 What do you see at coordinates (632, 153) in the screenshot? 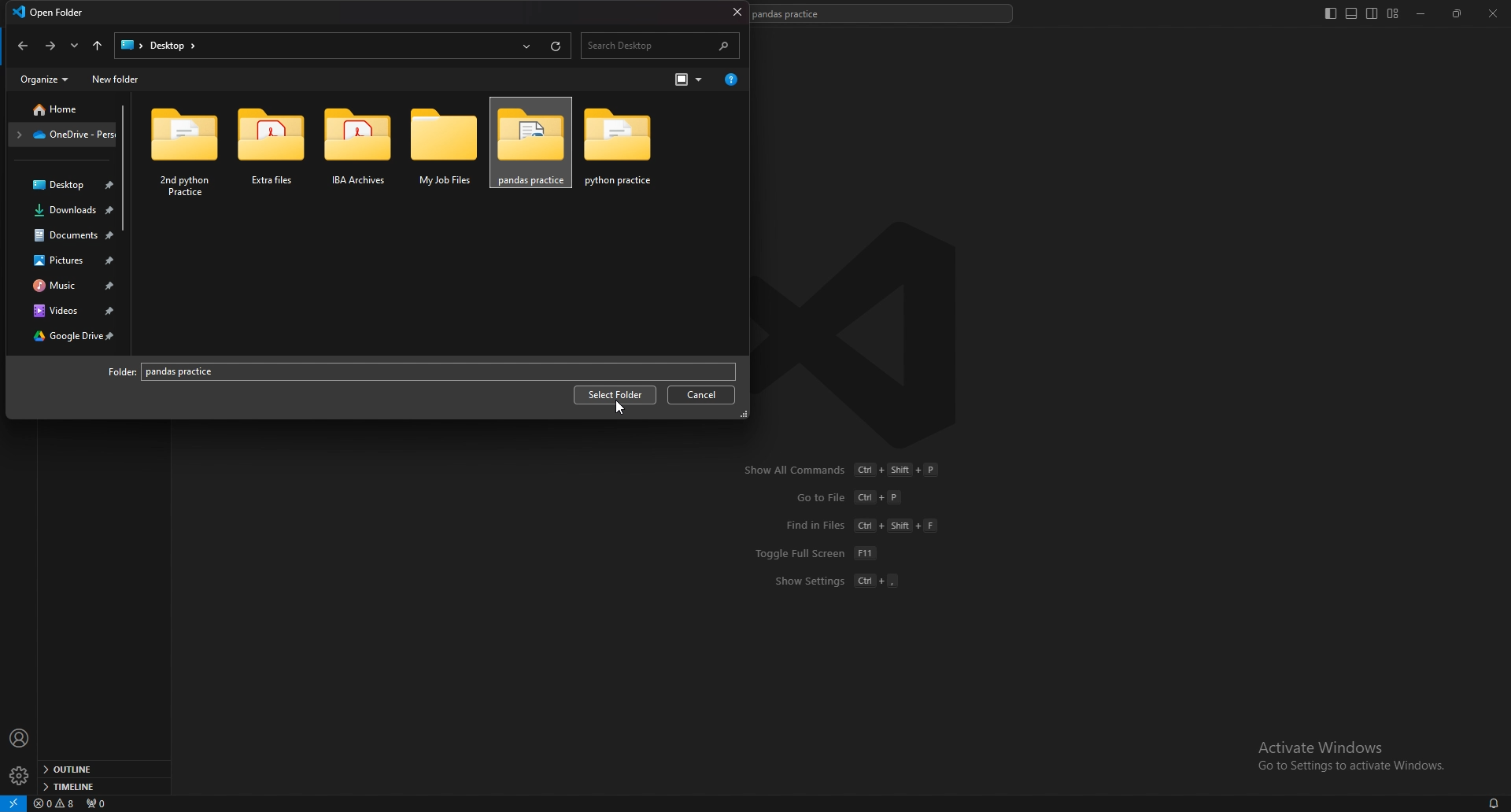
I see `pandas practice` at bounding box center [632, 153].